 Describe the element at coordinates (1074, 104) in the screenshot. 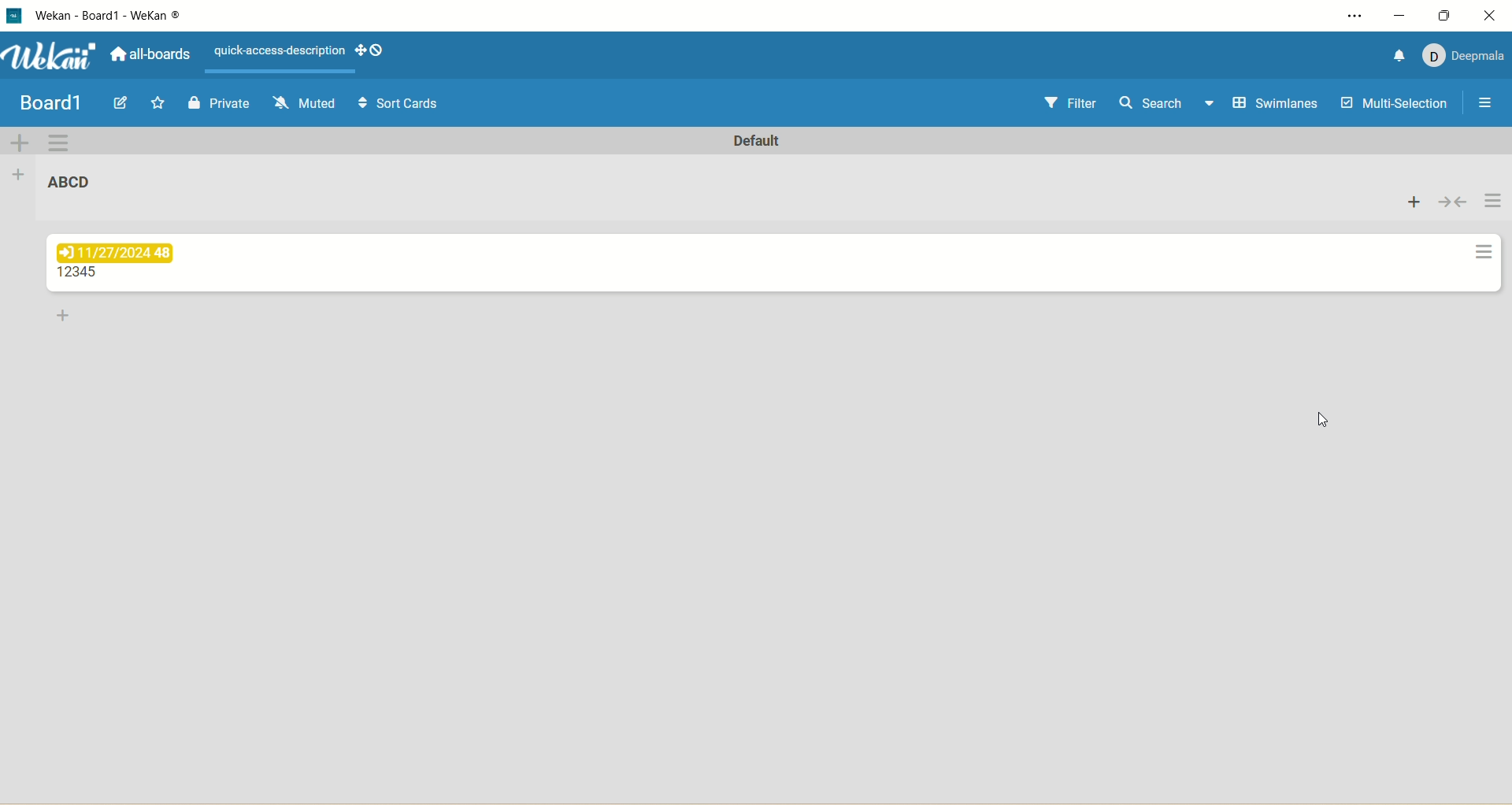

I see `filter` at that location.